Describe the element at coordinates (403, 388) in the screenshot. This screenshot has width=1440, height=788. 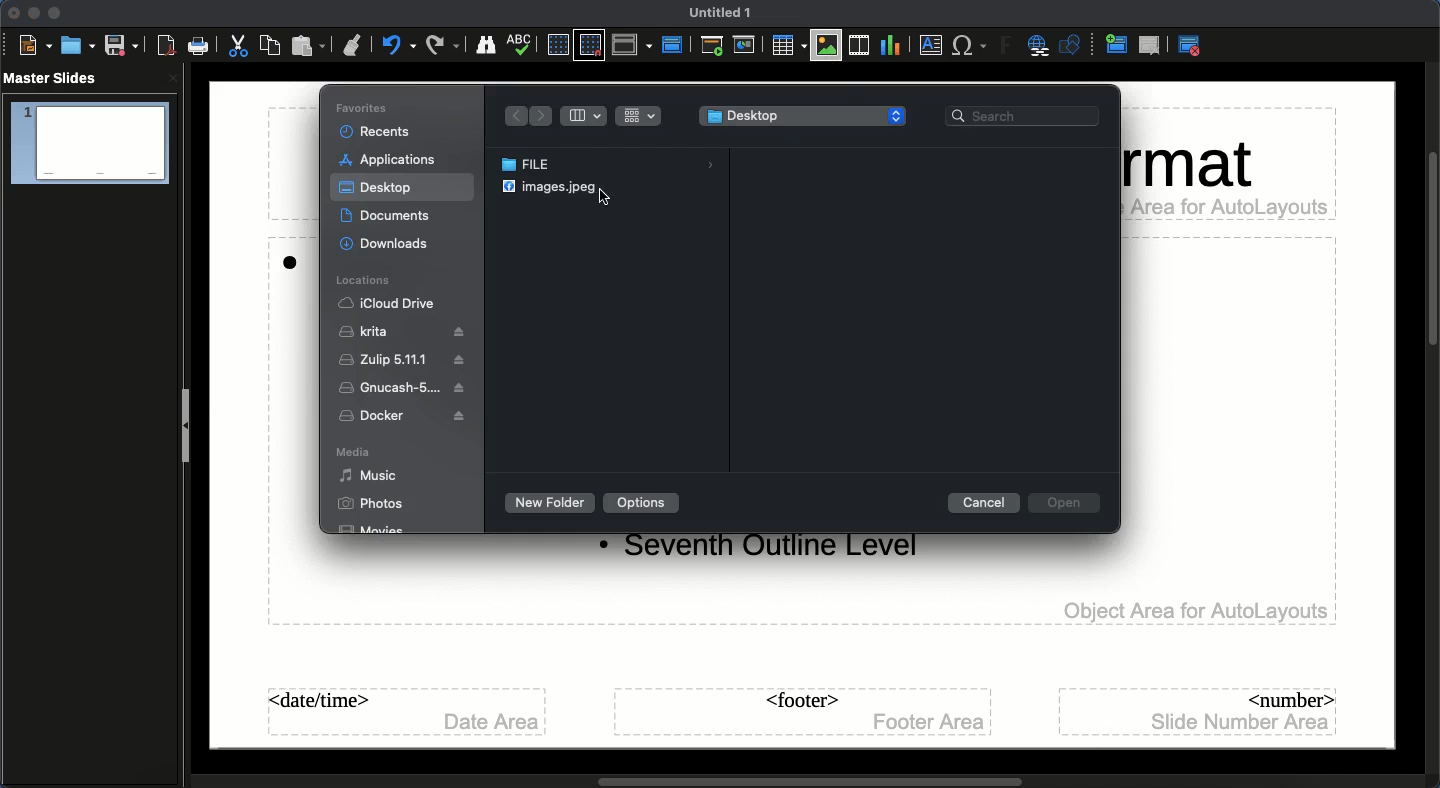
I see `GNUCASH` at that location.